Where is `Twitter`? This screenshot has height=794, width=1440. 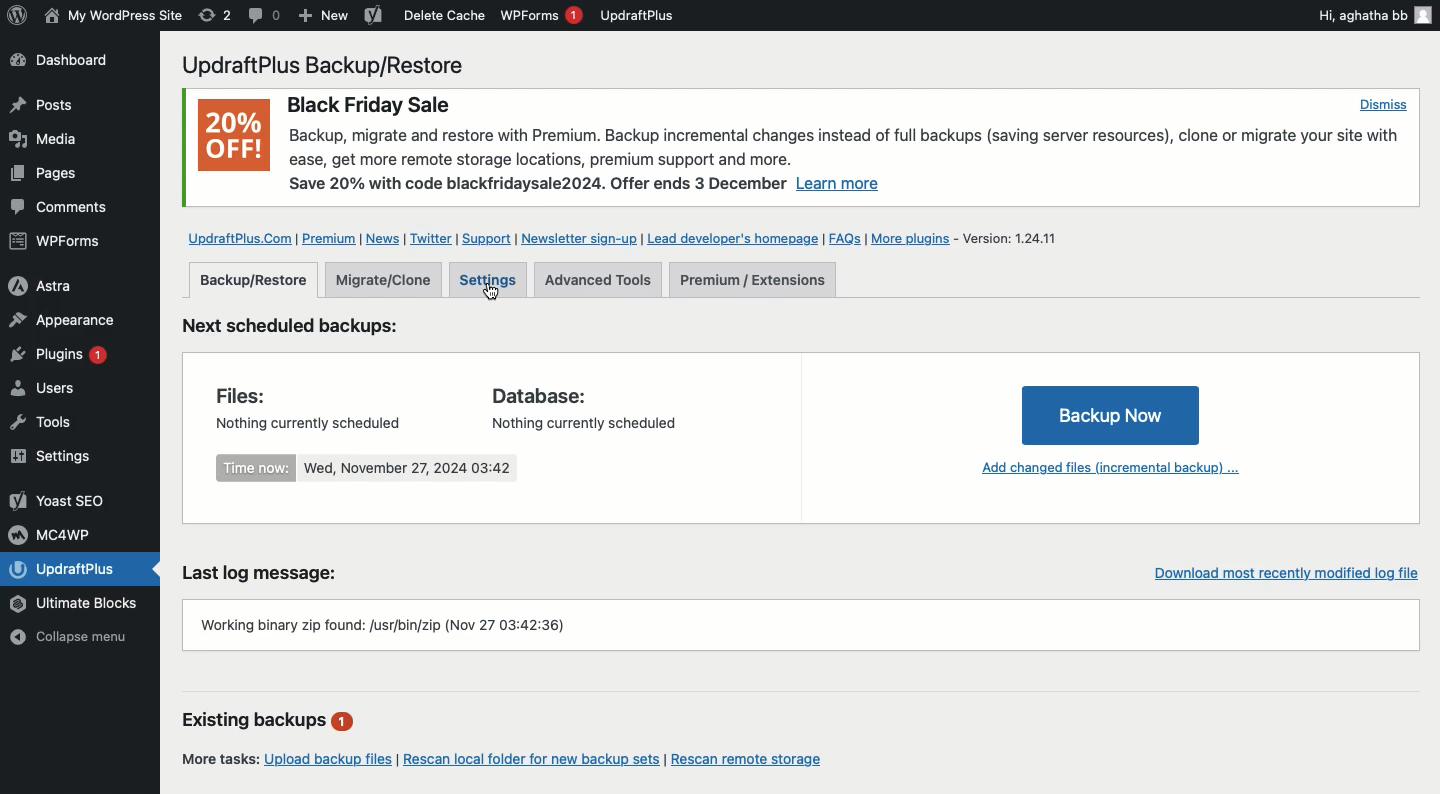
Twitter is located at coordinates (431, 239).